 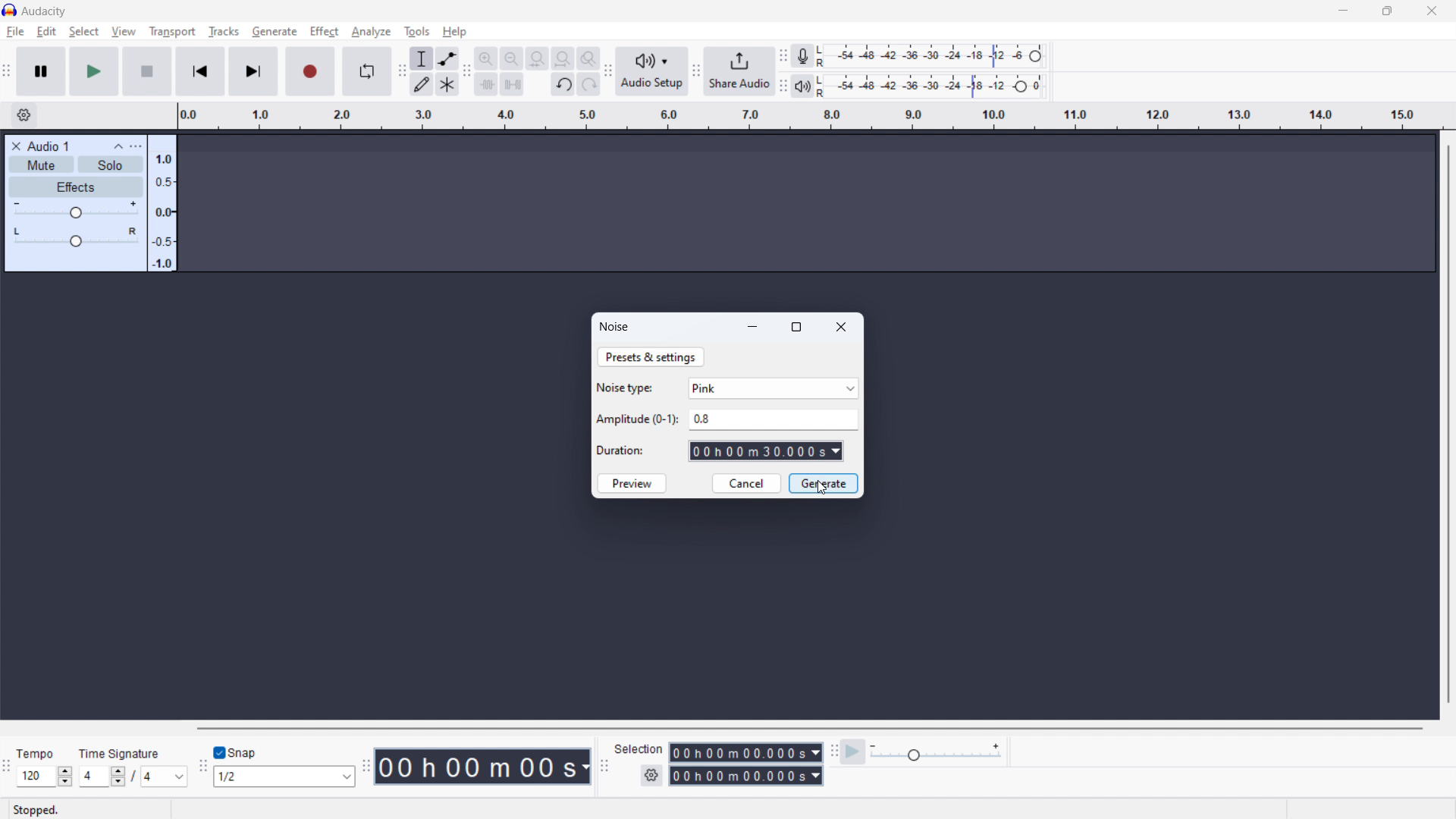 What do you see at coordinates (773, 388) in the screenshot?
I see `noise type selected` at bounding box center [773, 388].